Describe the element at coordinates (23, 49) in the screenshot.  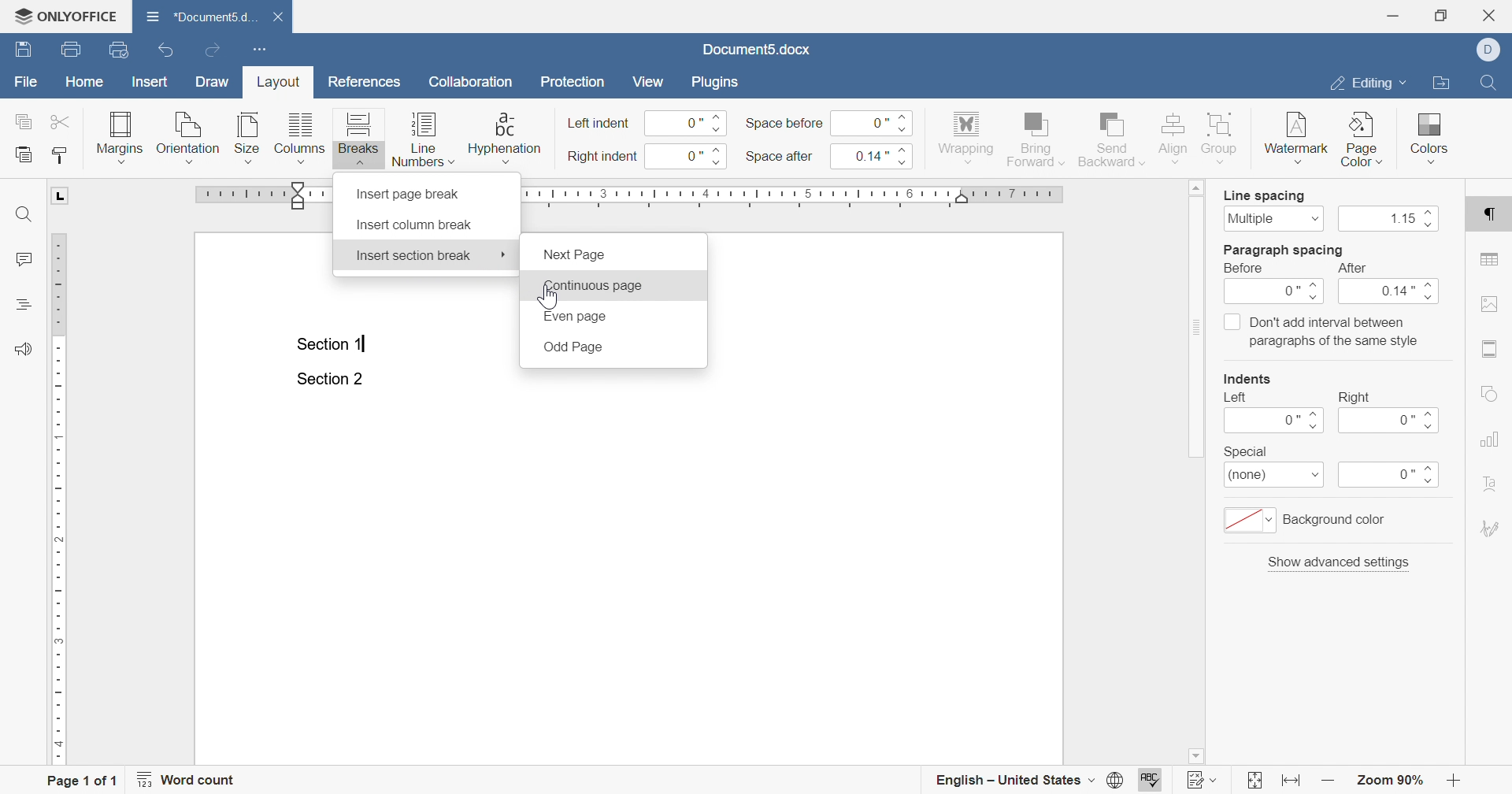
I see `save` at that location.